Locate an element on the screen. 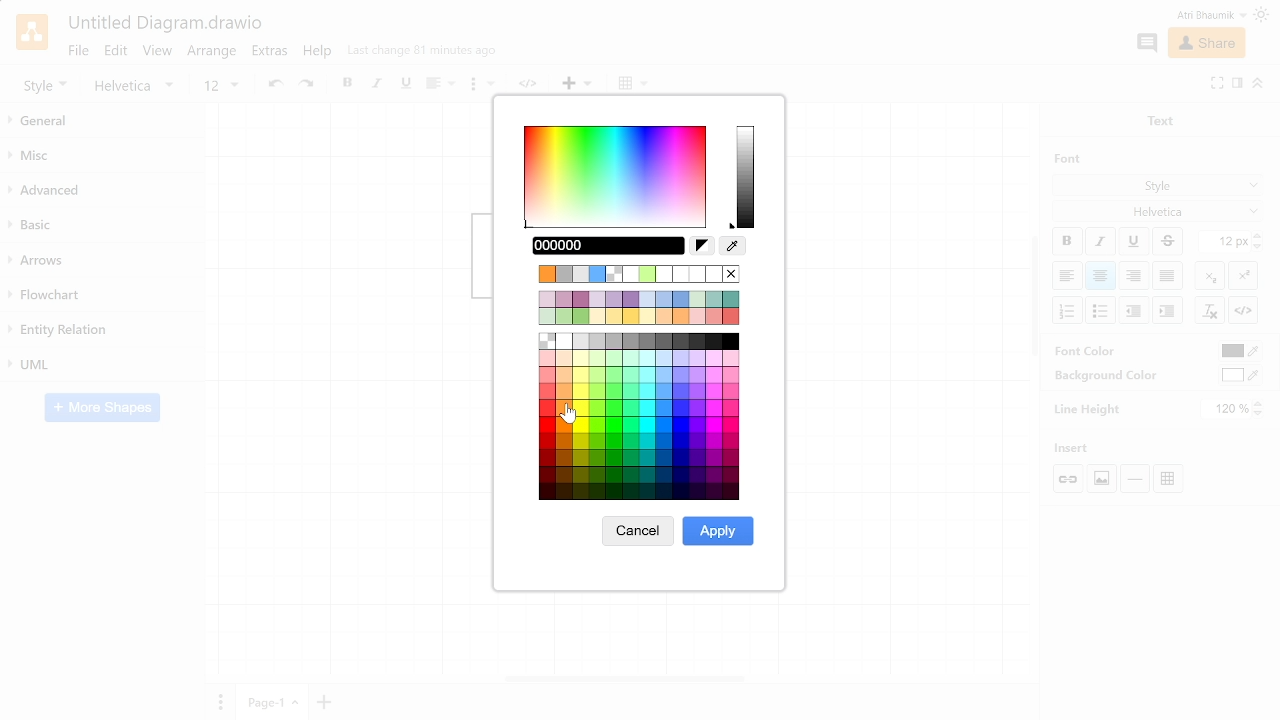  font size is located at coordinates (220, 86).